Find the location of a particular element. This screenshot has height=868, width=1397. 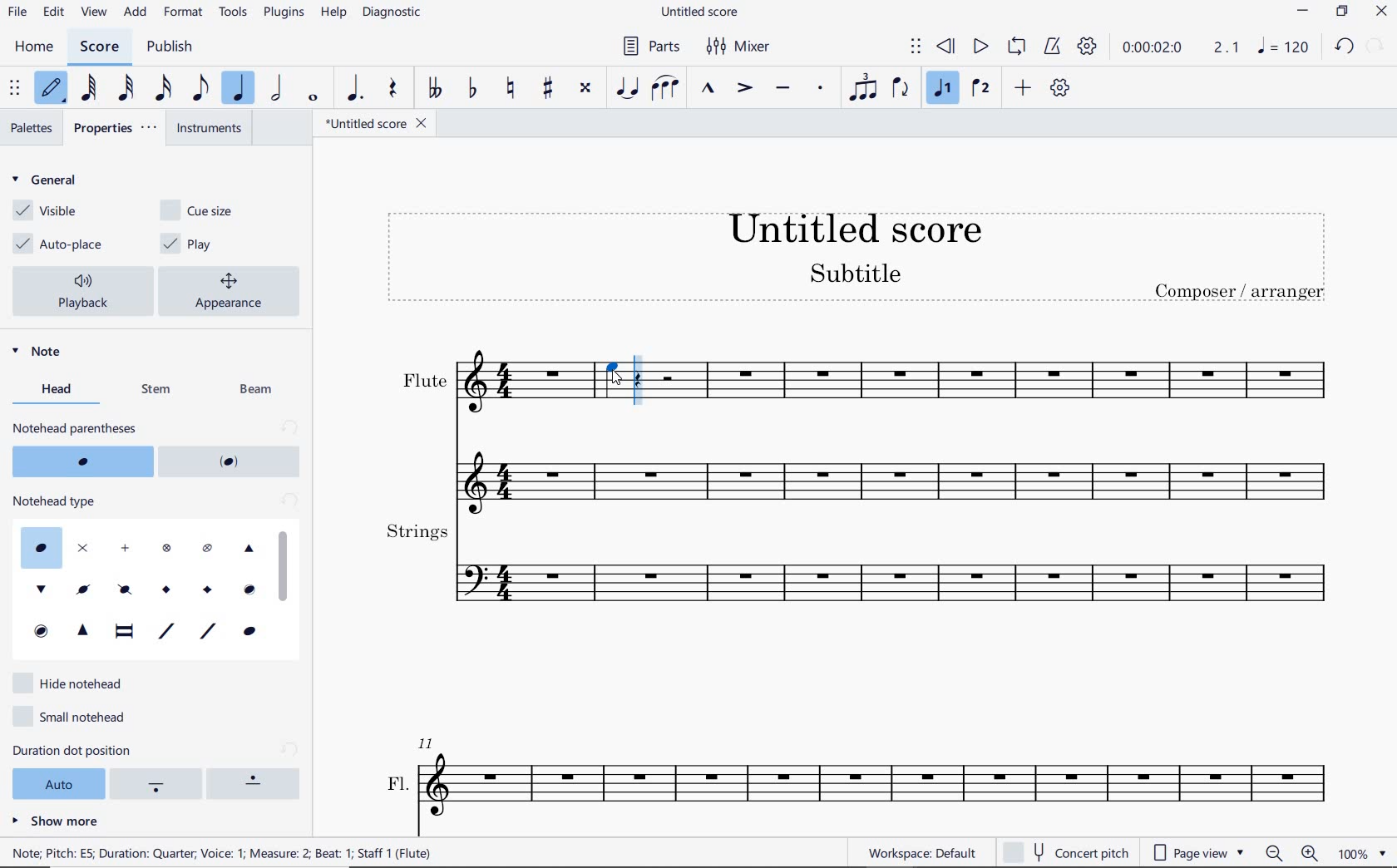

close is located at coordinates (1381, 12).